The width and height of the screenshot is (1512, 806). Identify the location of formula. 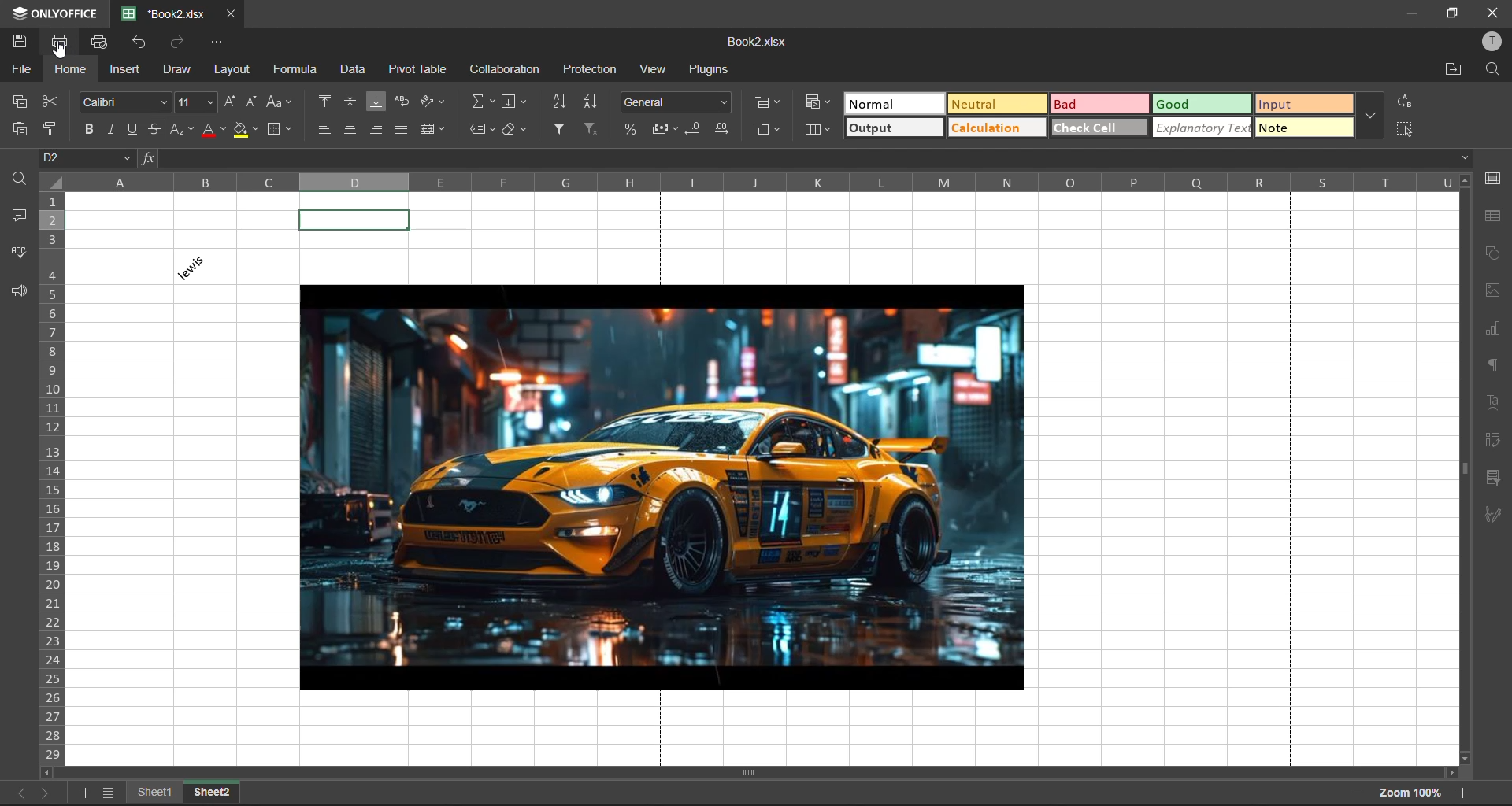
(296, 70).